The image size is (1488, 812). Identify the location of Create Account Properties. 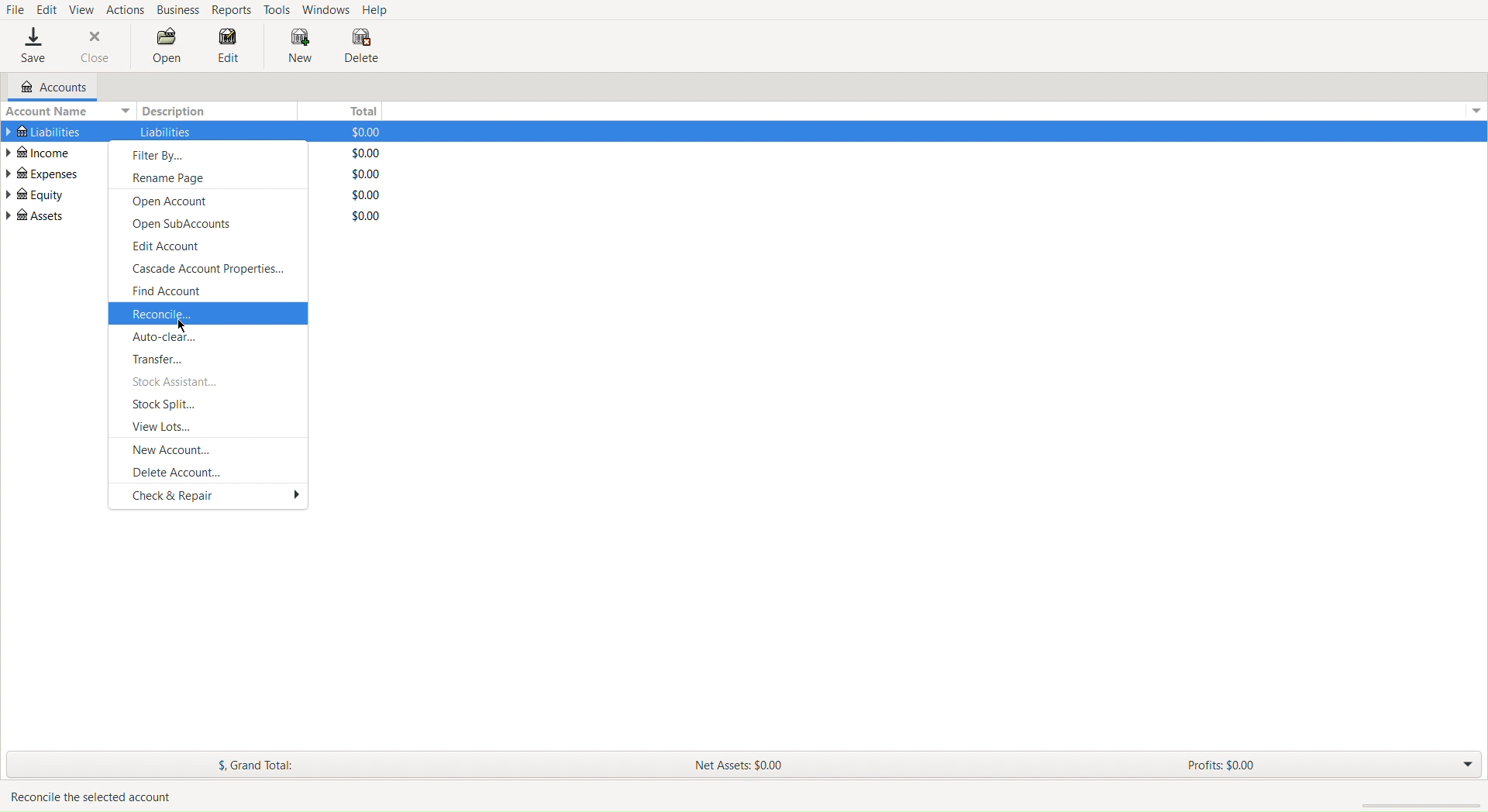
(210, 270).